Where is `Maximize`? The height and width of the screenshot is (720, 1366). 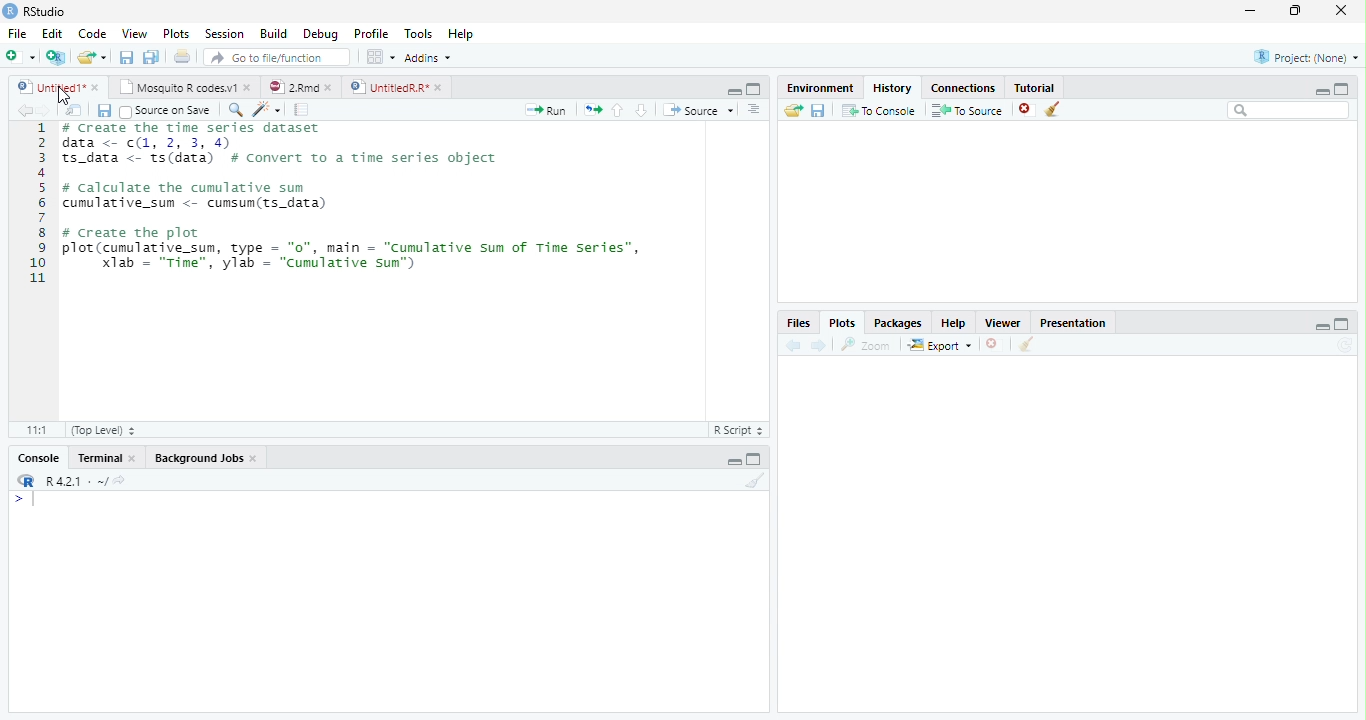
Maximize is located at coordinates (1296, 13).